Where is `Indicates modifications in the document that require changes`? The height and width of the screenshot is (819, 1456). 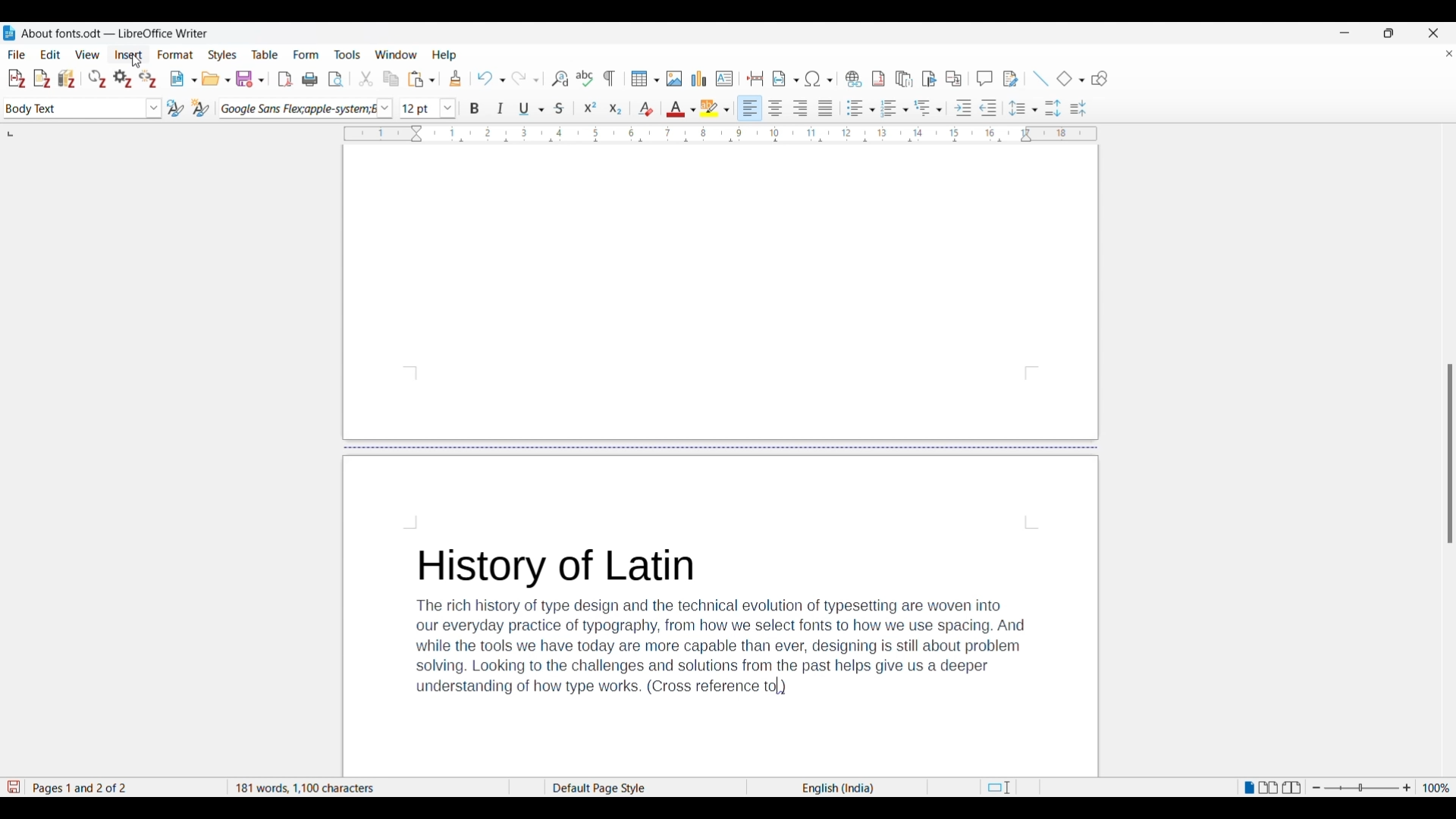
Indicates modifications in the document that require changes is located at coordinates (13, 787).